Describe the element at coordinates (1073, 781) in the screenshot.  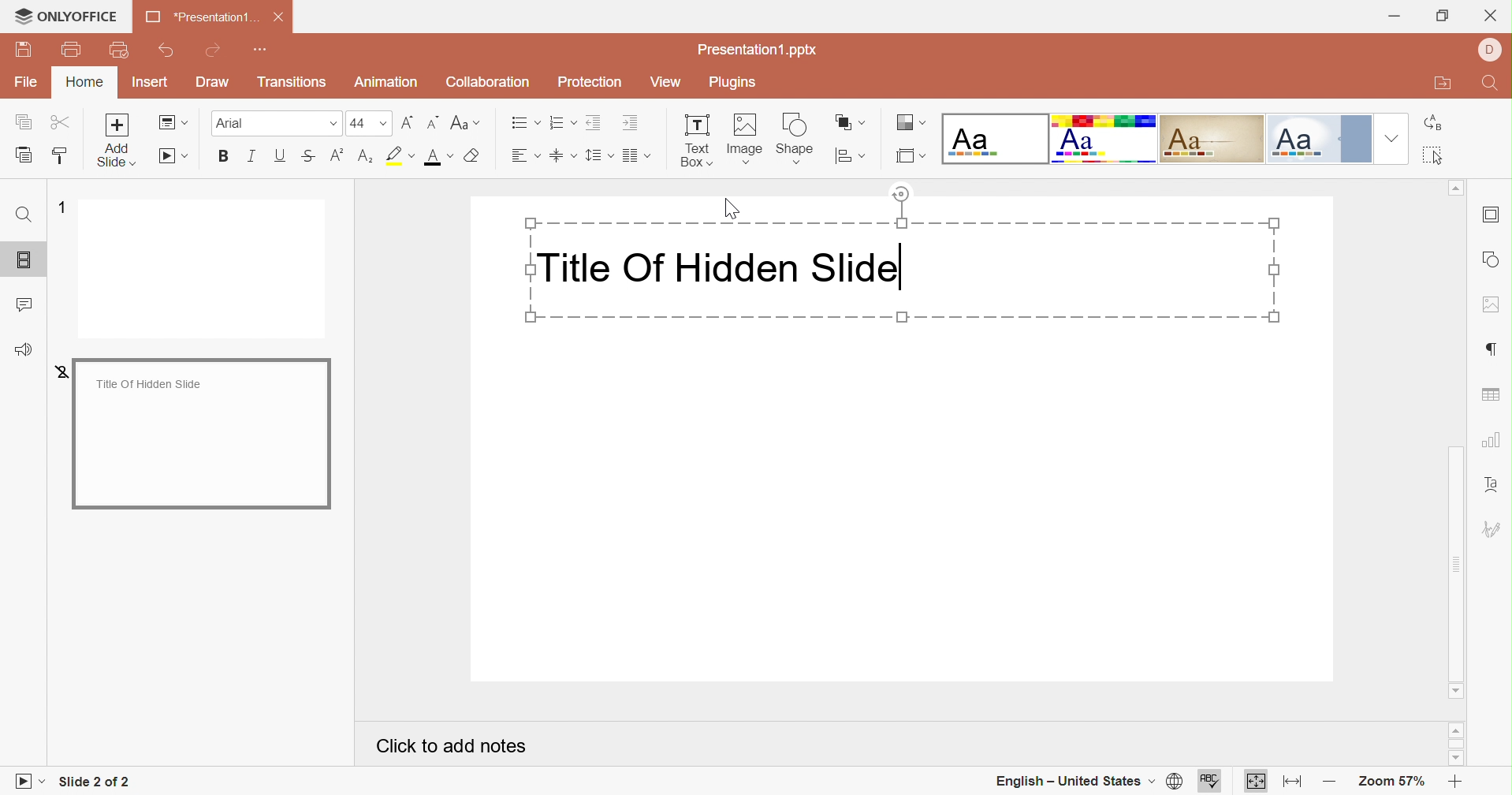
I see `English - United States` at that location.